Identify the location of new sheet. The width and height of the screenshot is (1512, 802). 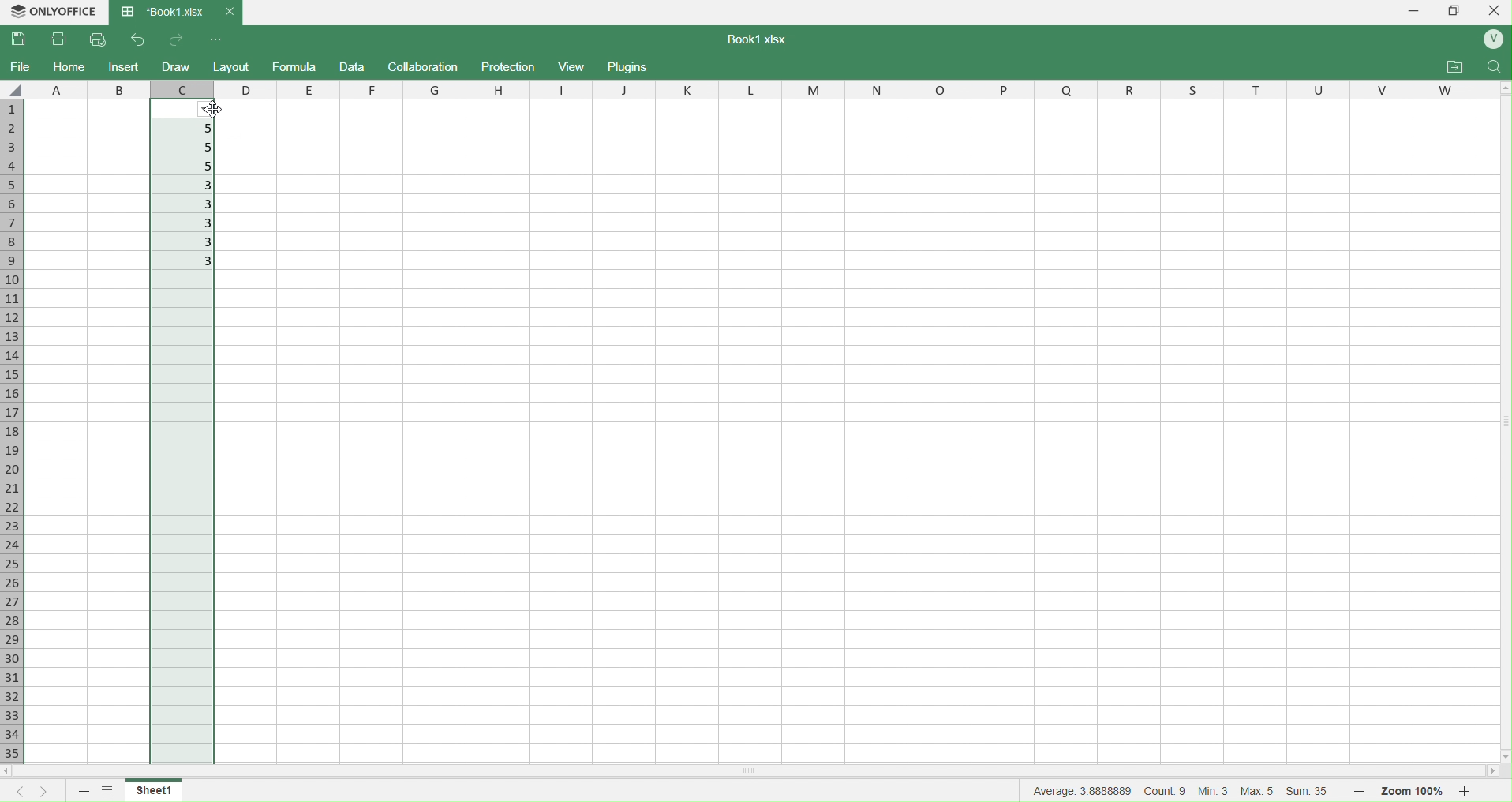
(85, 791).